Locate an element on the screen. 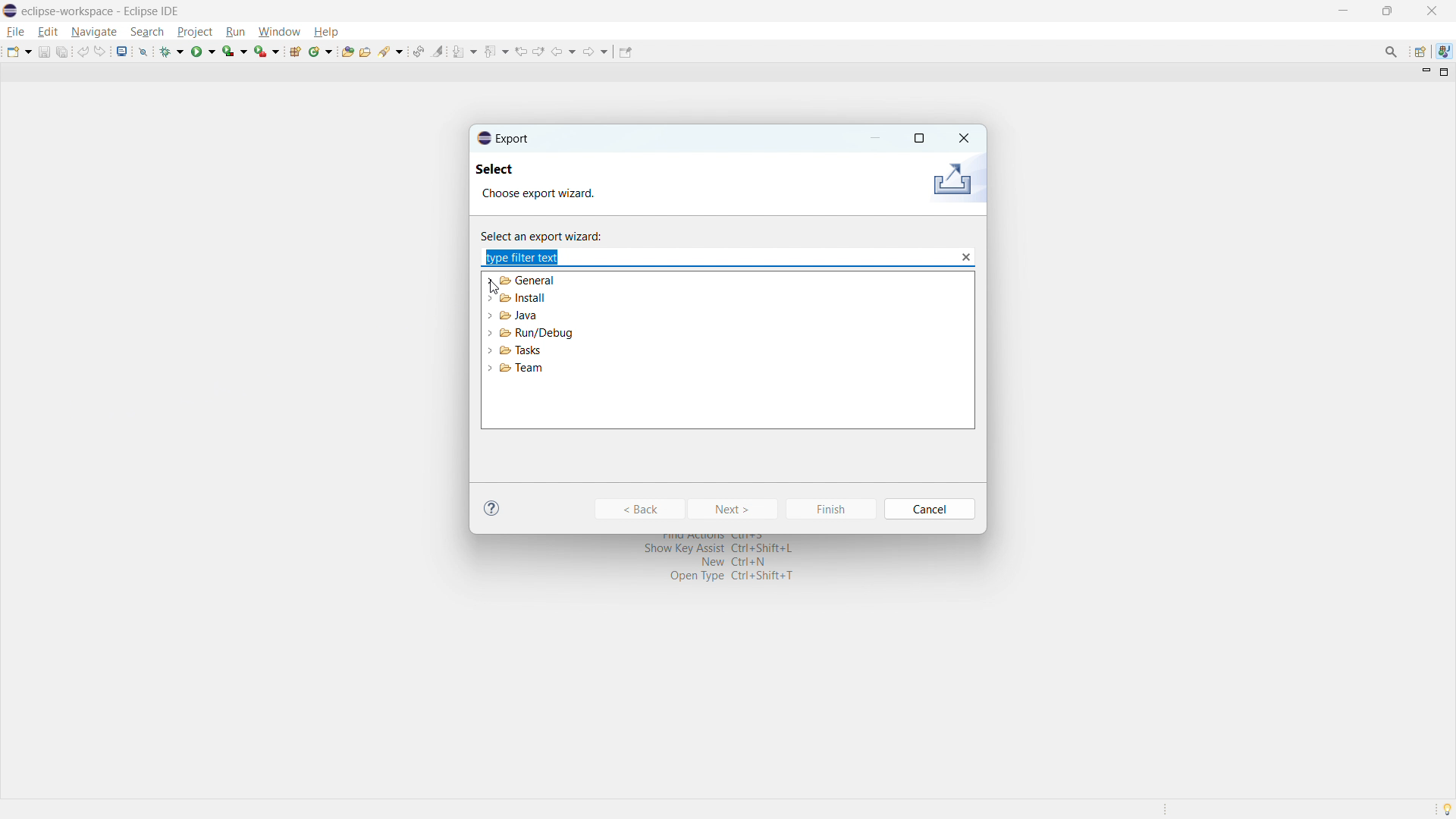 The image size is (1456, 819). coverage is located at coordinates (234, 51).